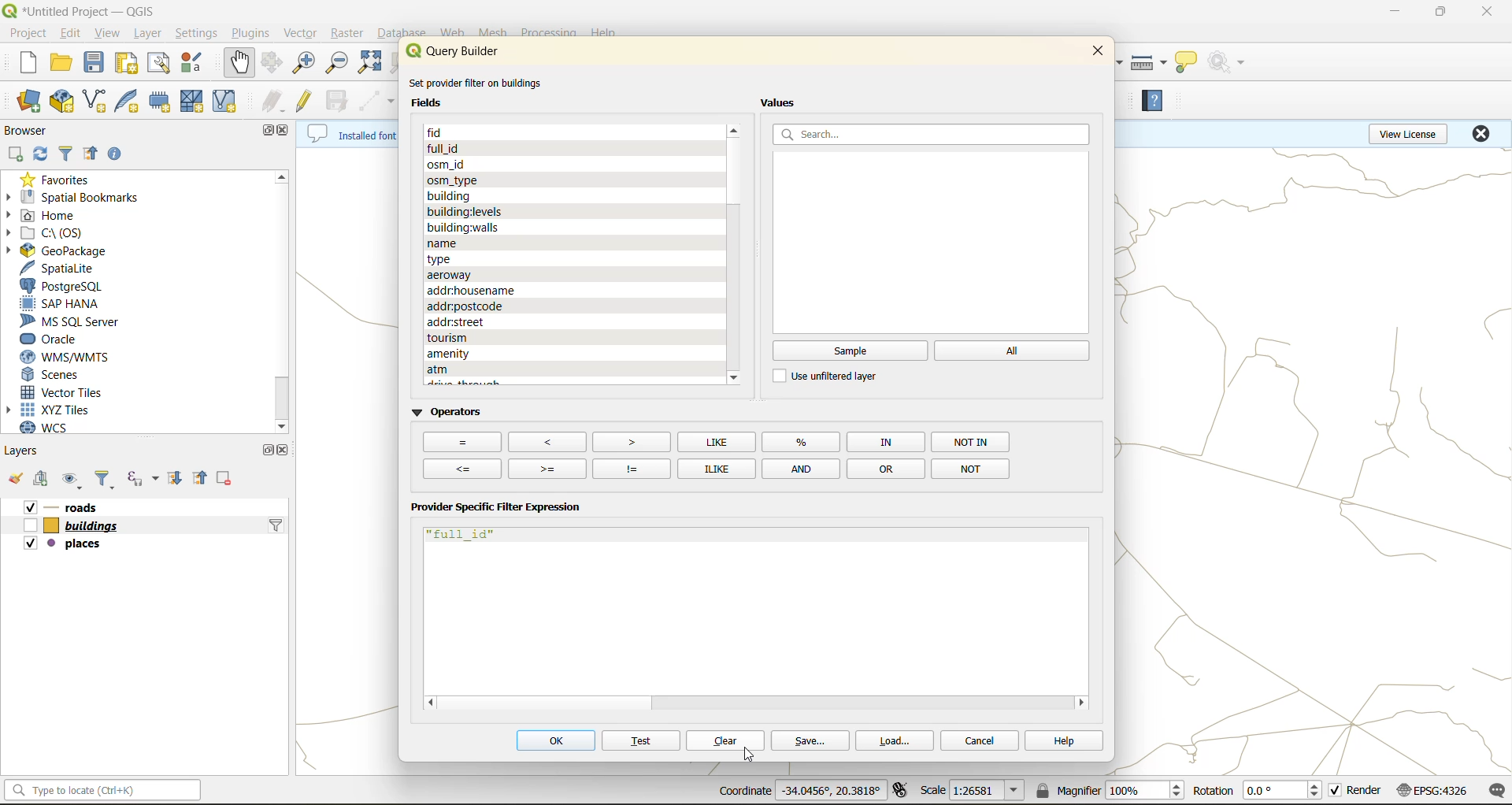  I want to click on pan selection, so click(270, 65).